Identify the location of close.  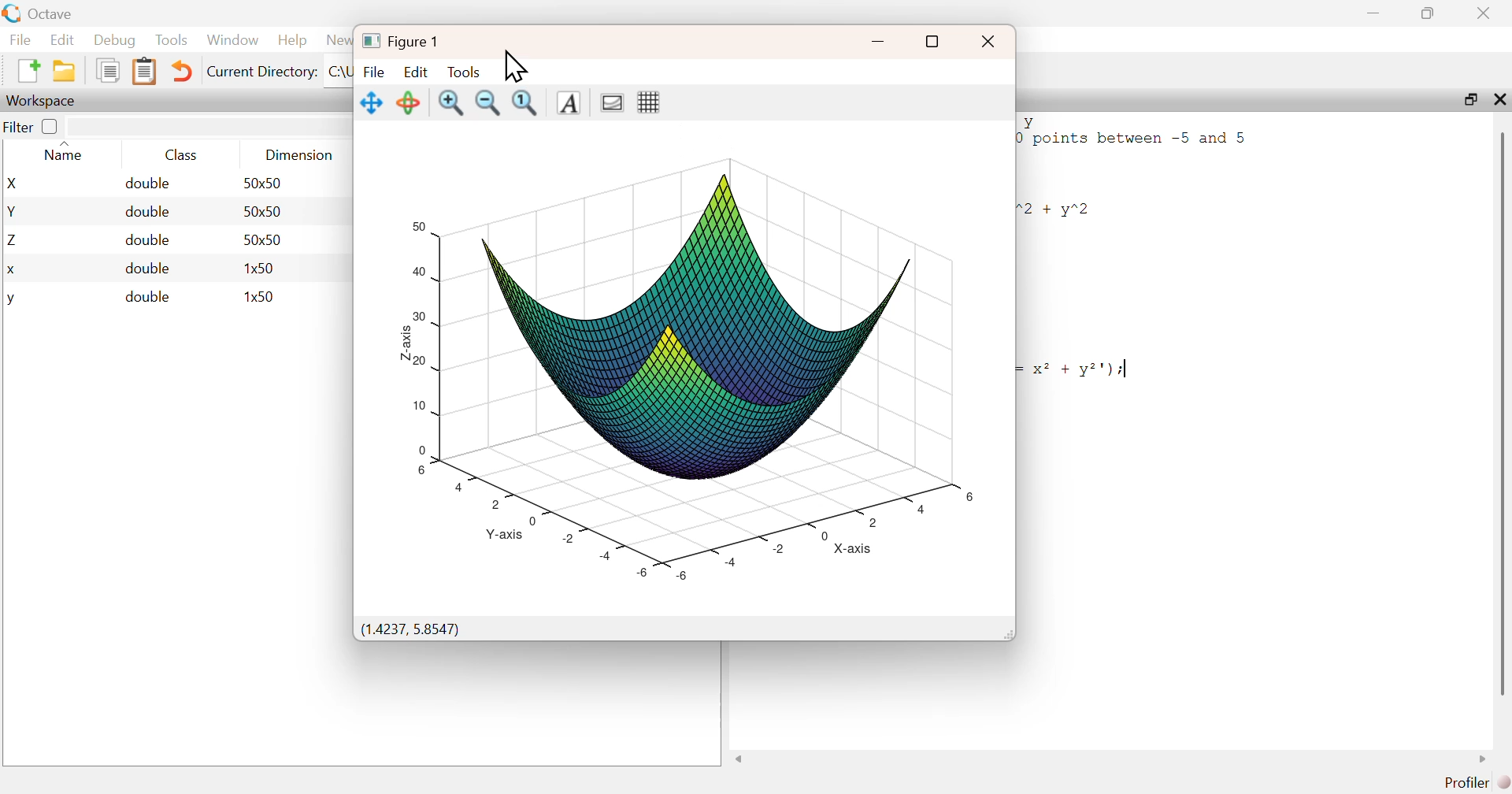
(1498, 98).